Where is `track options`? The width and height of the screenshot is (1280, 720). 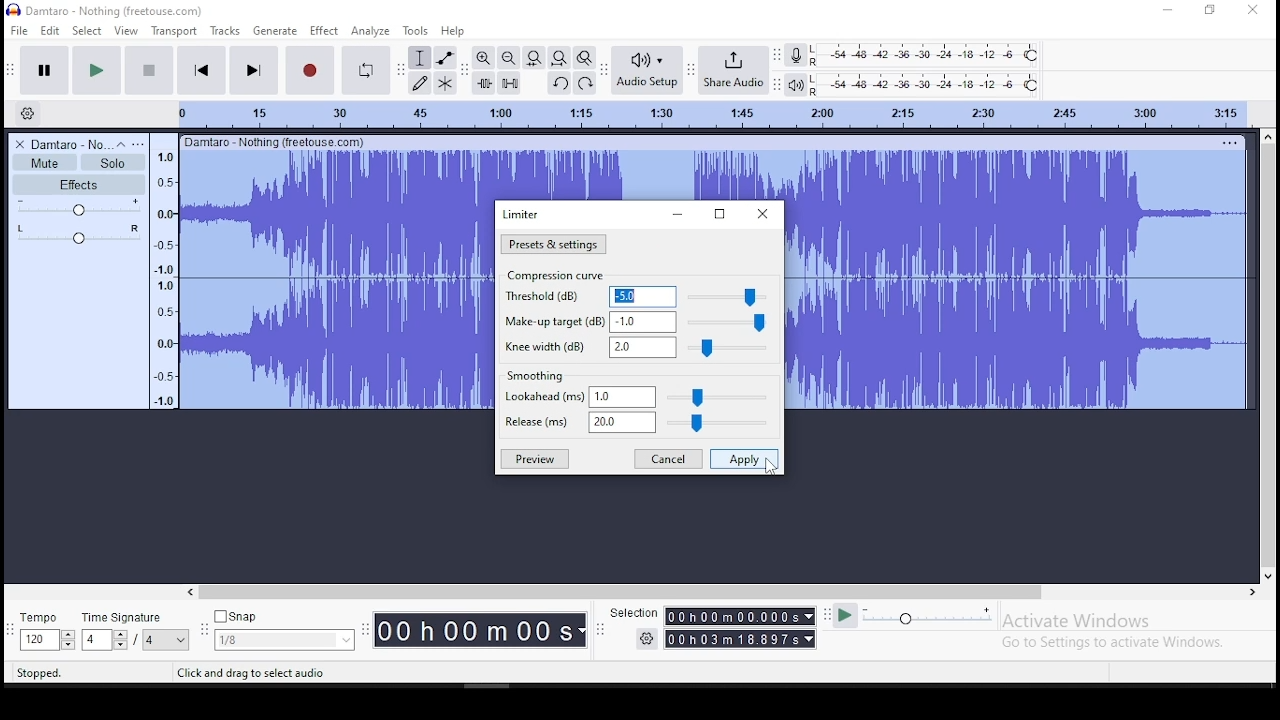
track options is located at coordinates (1227, 143).